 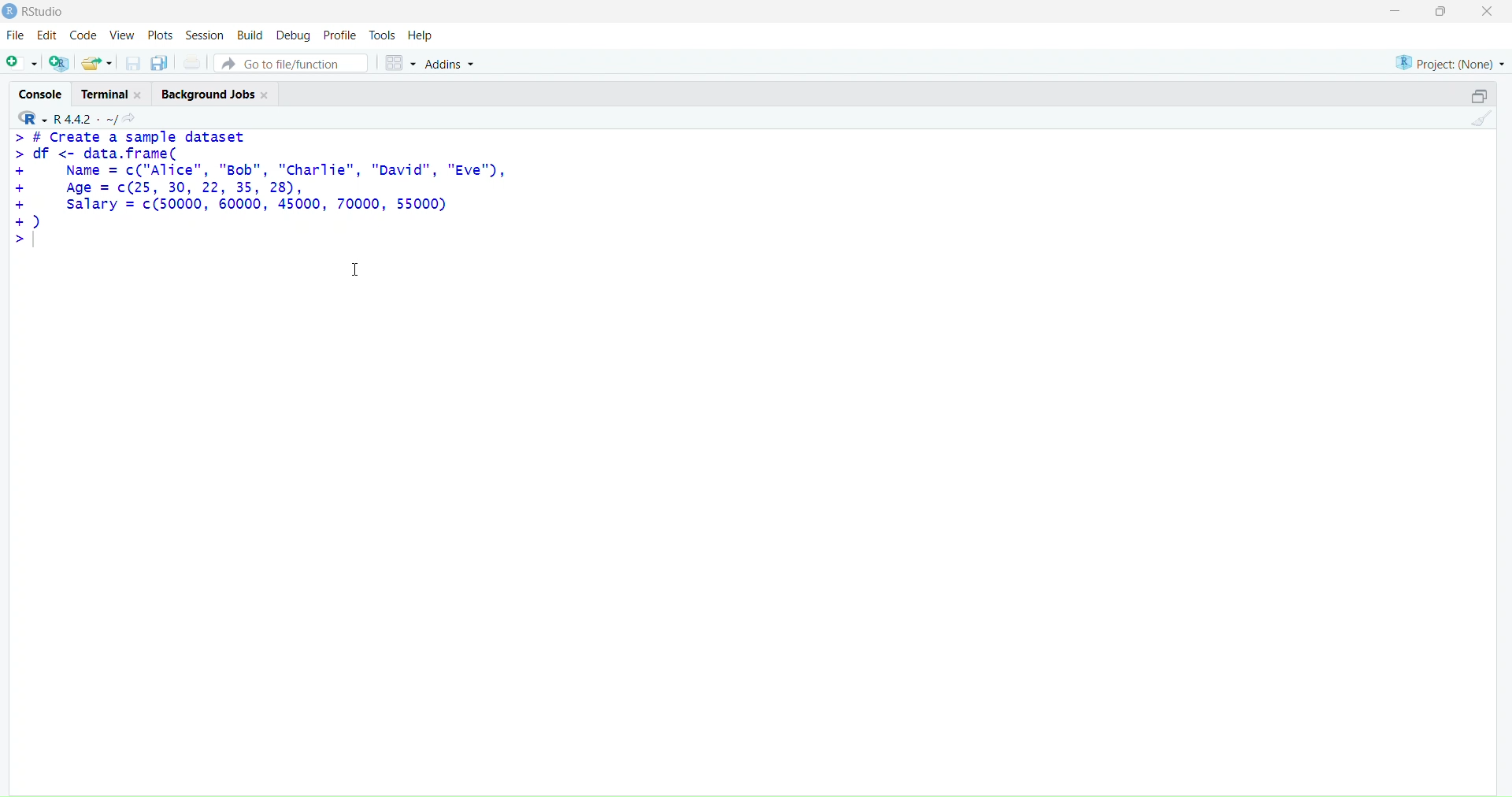 I want to click on view the current working directory, so click(x=131, y=120).